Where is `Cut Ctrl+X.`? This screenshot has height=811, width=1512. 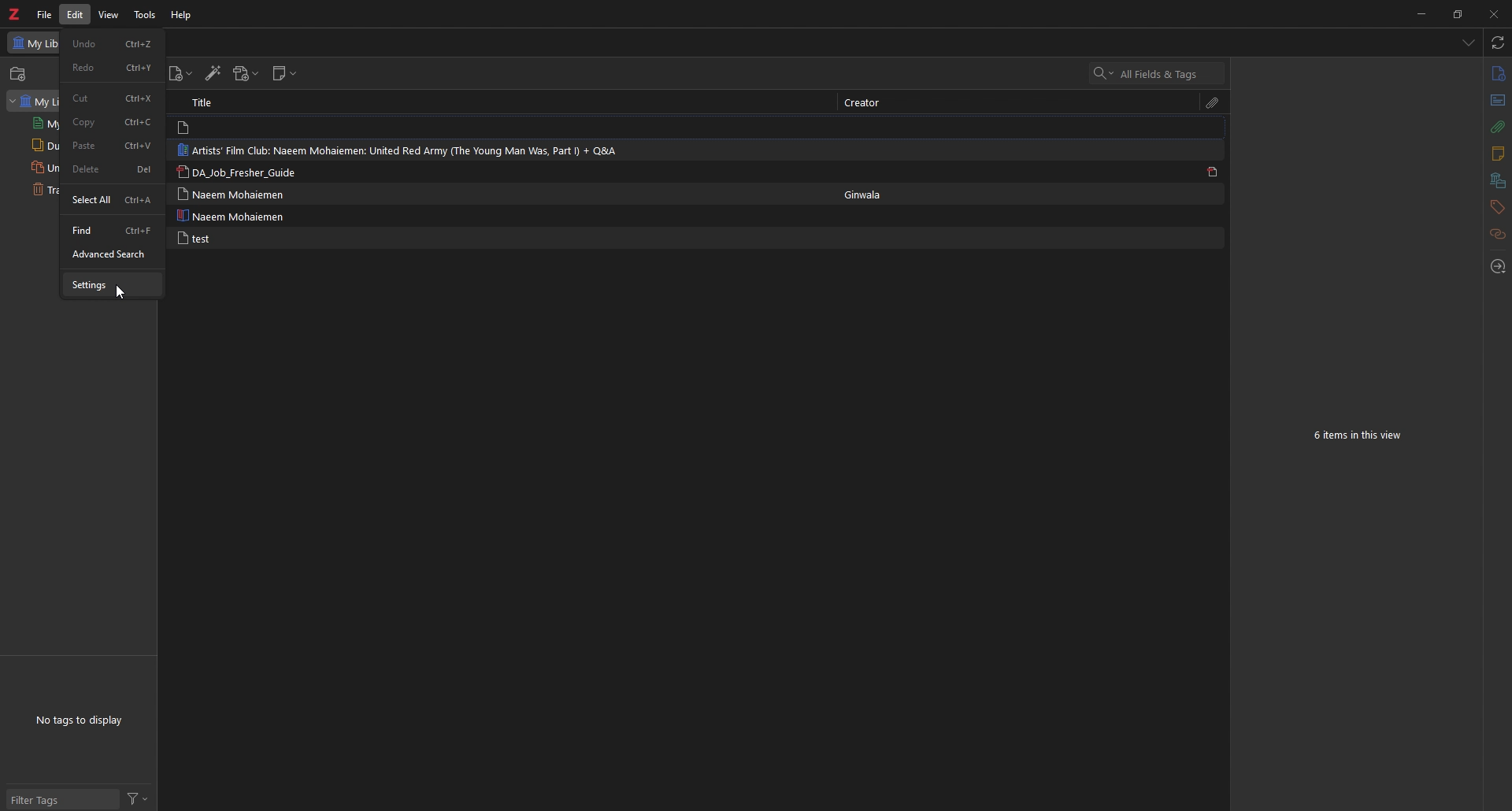 Cut Ctrl+X. is located at coordinates (111, 98).